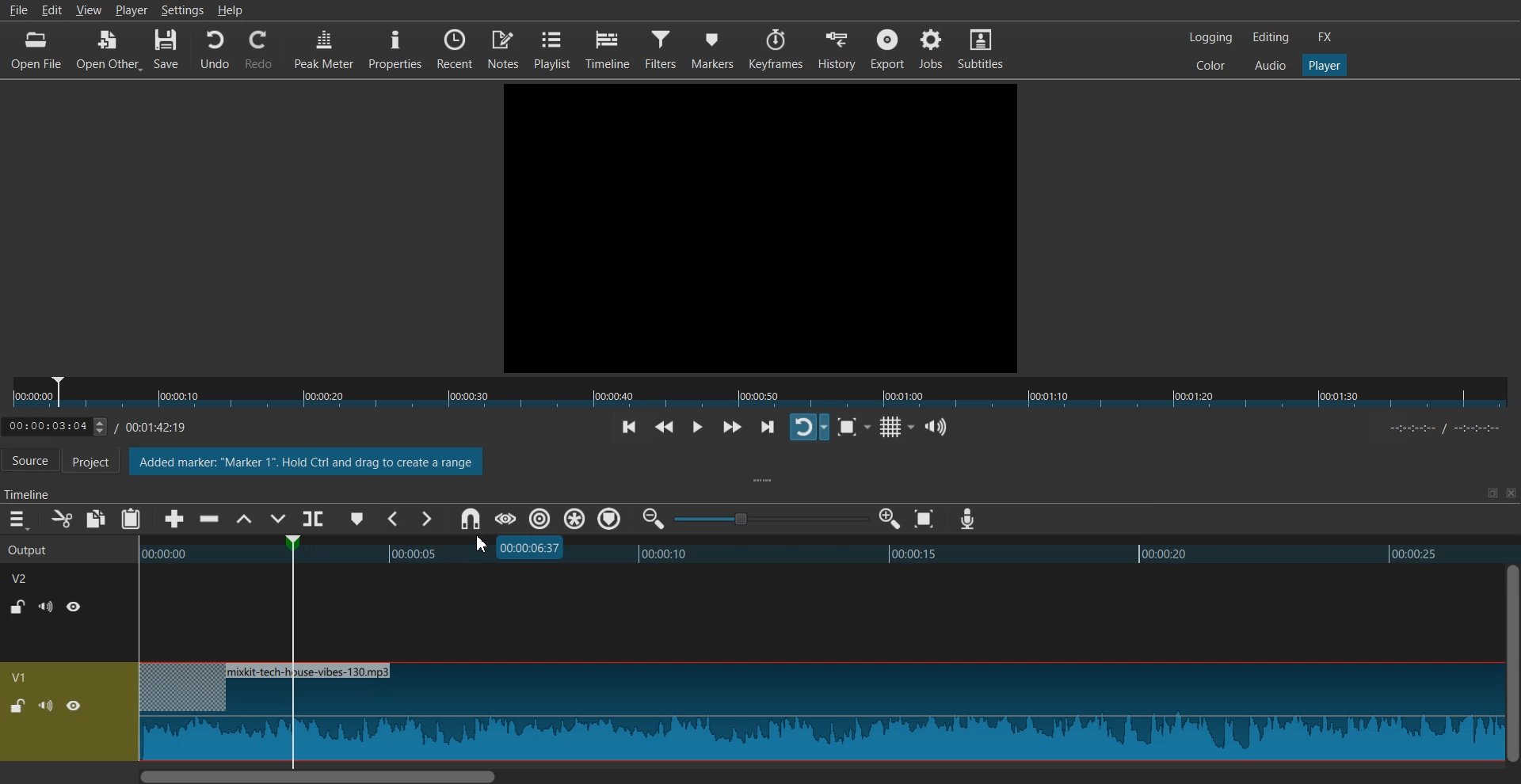 This screenshot has width=1521, height=784. Describe the element at coordinates (182, 10) in the screenshot. I see `Settings` at that location.